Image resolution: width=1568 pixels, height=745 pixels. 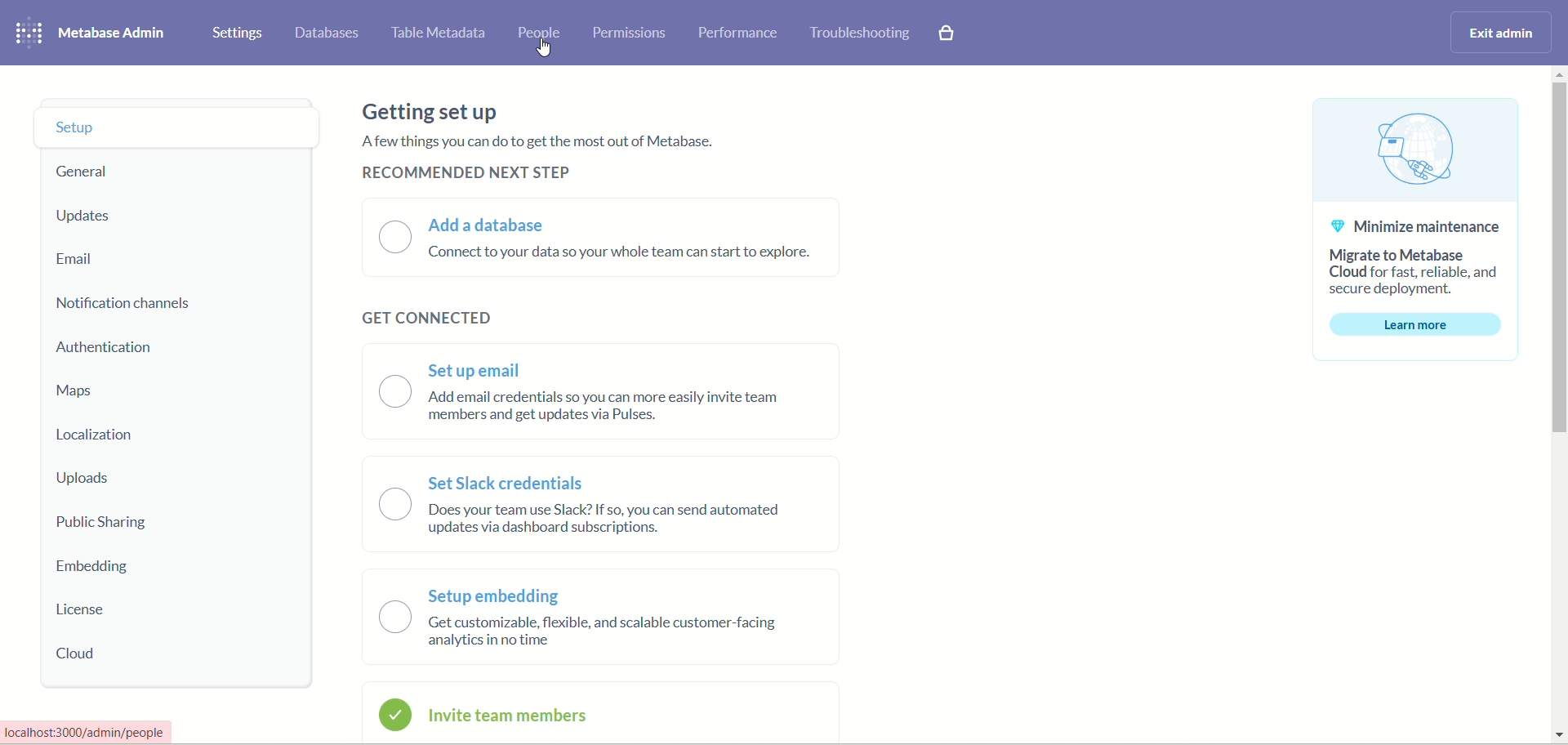 I want to click on text, so click(x=1410, y=191).